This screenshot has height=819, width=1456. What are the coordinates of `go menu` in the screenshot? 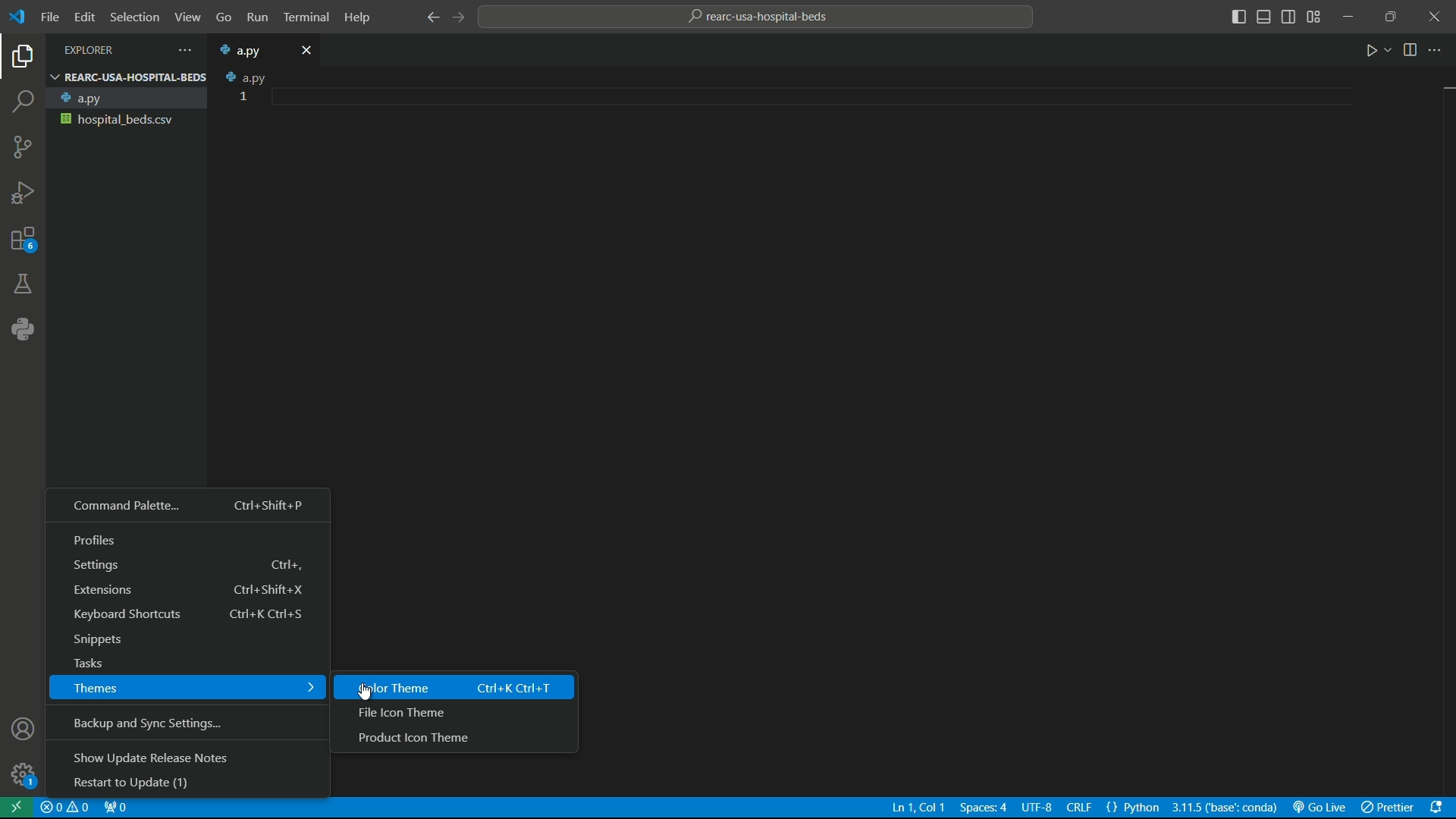 It's located at (222, 19).